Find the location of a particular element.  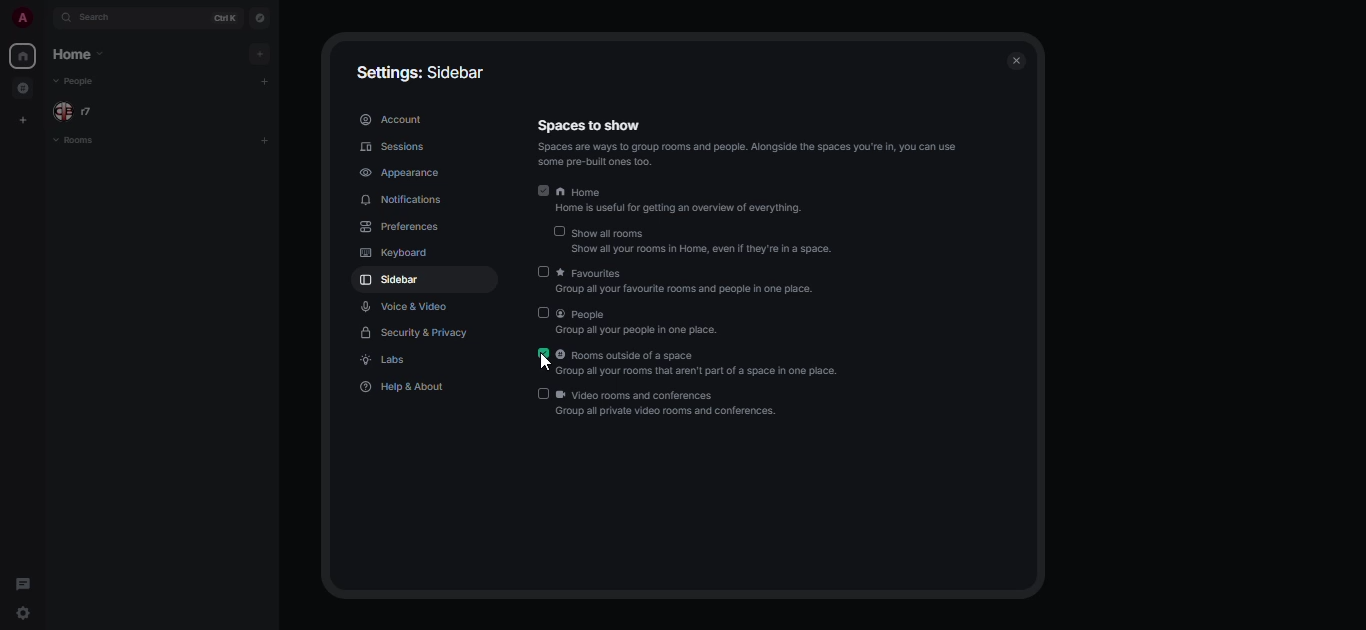

profile is located at coordinates (21, 19).